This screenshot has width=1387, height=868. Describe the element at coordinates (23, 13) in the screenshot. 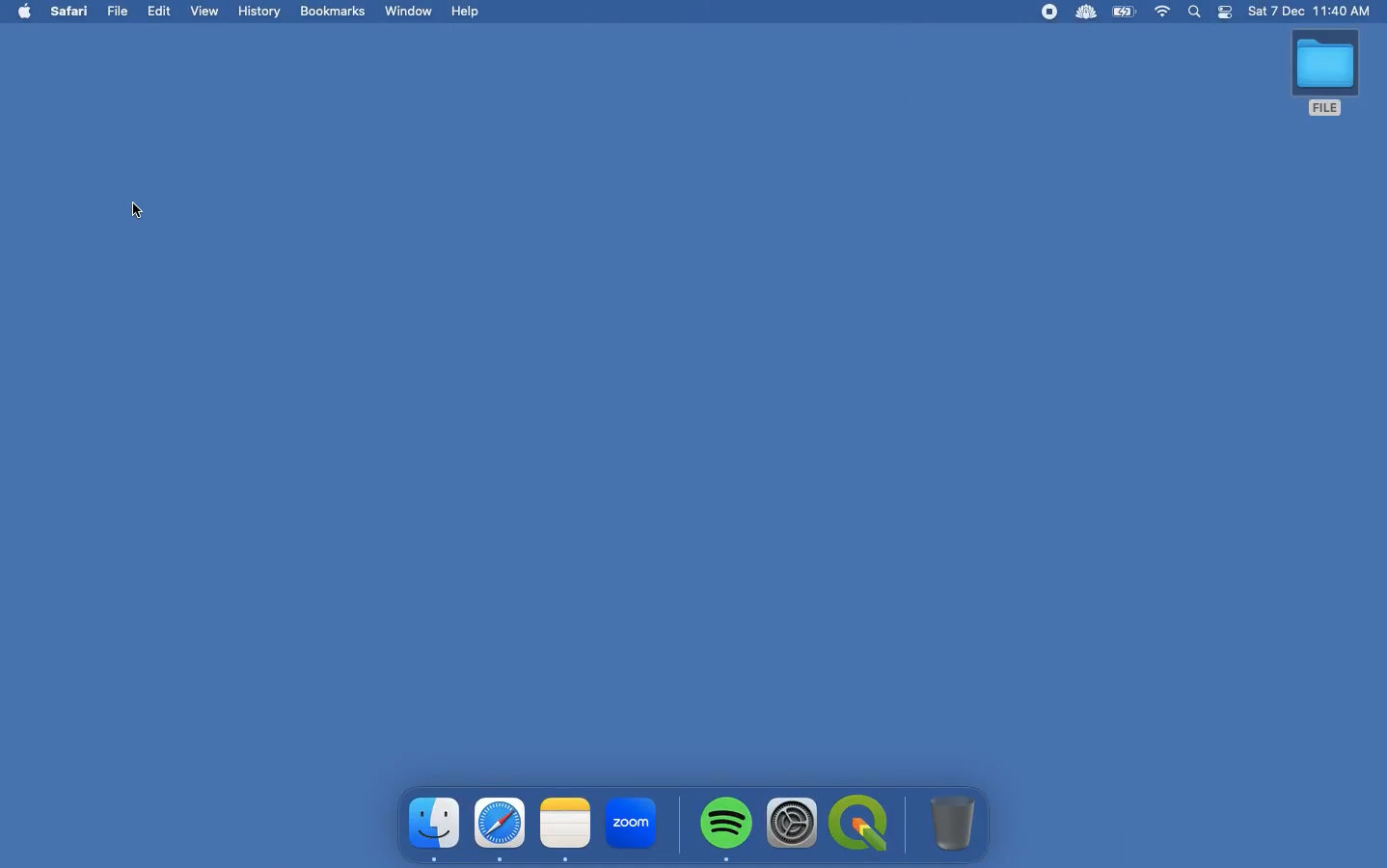

I see `Apple Logo` at that location.